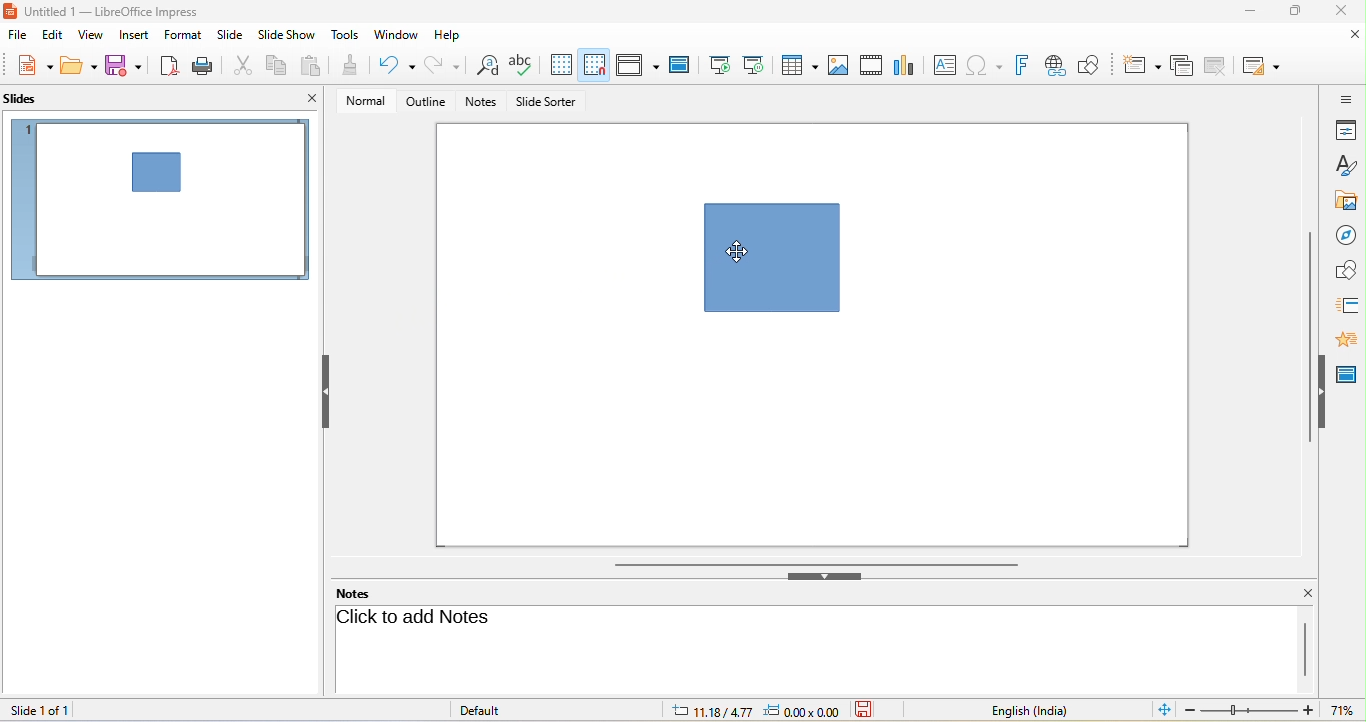  Describe the element at coordinates (1345, 130) in the screenshot. I see `properties` at that location.